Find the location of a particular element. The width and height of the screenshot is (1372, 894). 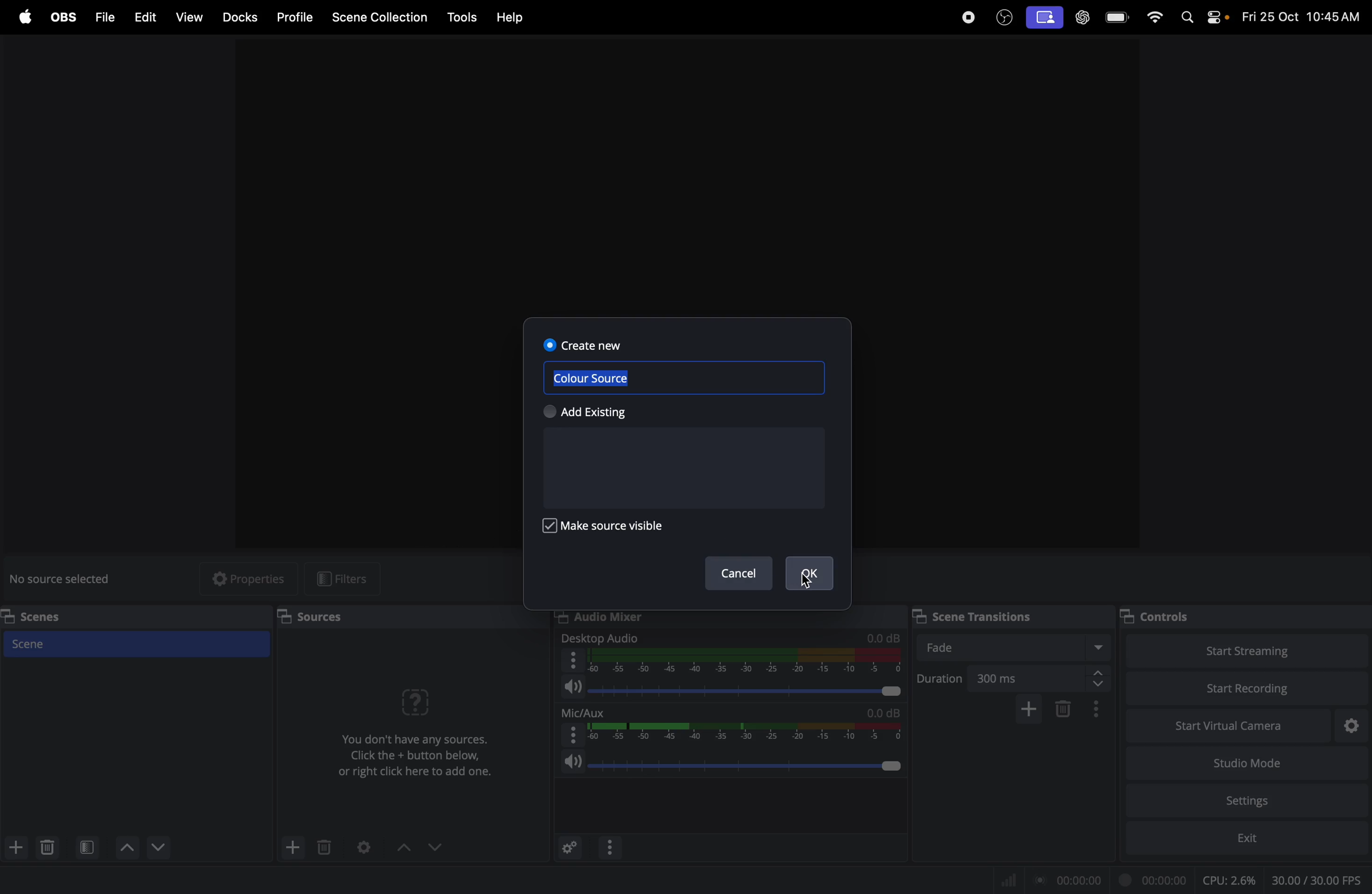

obs menu is located at coordinates (62, 16).